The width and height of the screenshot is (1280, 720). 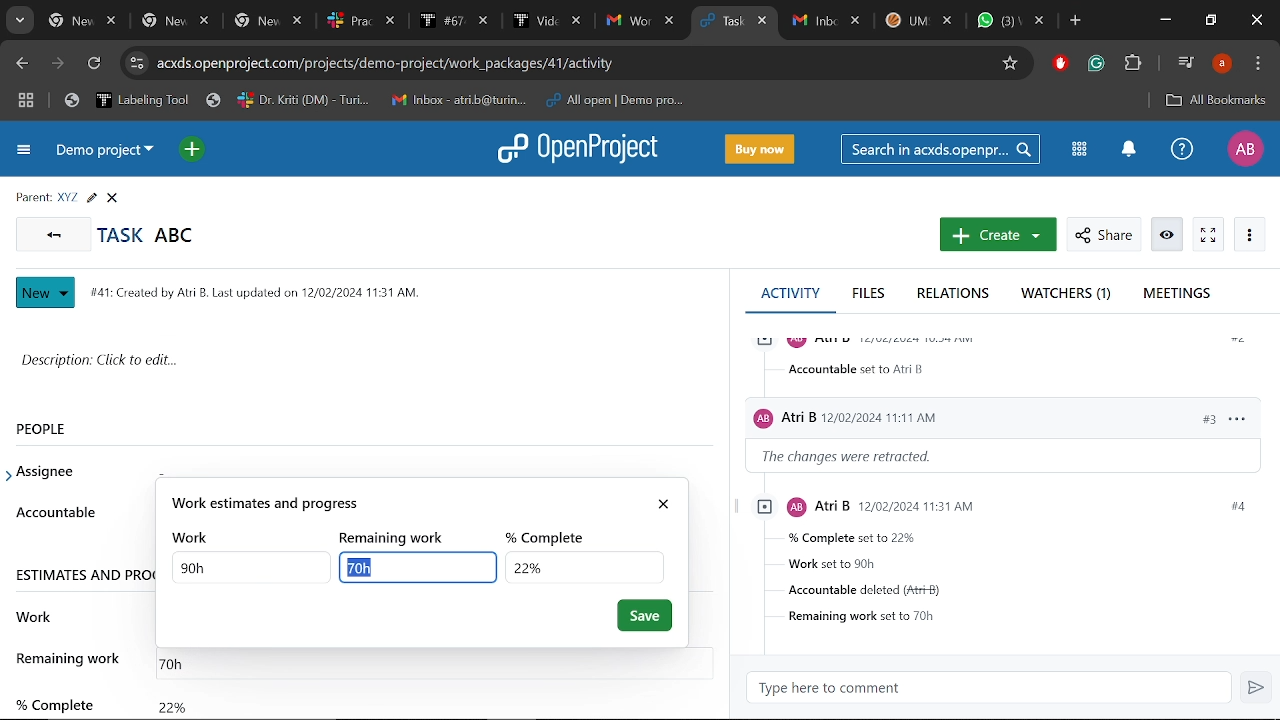 What do you see at coordinates (1126, 150) in the screenshot?
I see `Notification center` at bounding box center [1126, 150].